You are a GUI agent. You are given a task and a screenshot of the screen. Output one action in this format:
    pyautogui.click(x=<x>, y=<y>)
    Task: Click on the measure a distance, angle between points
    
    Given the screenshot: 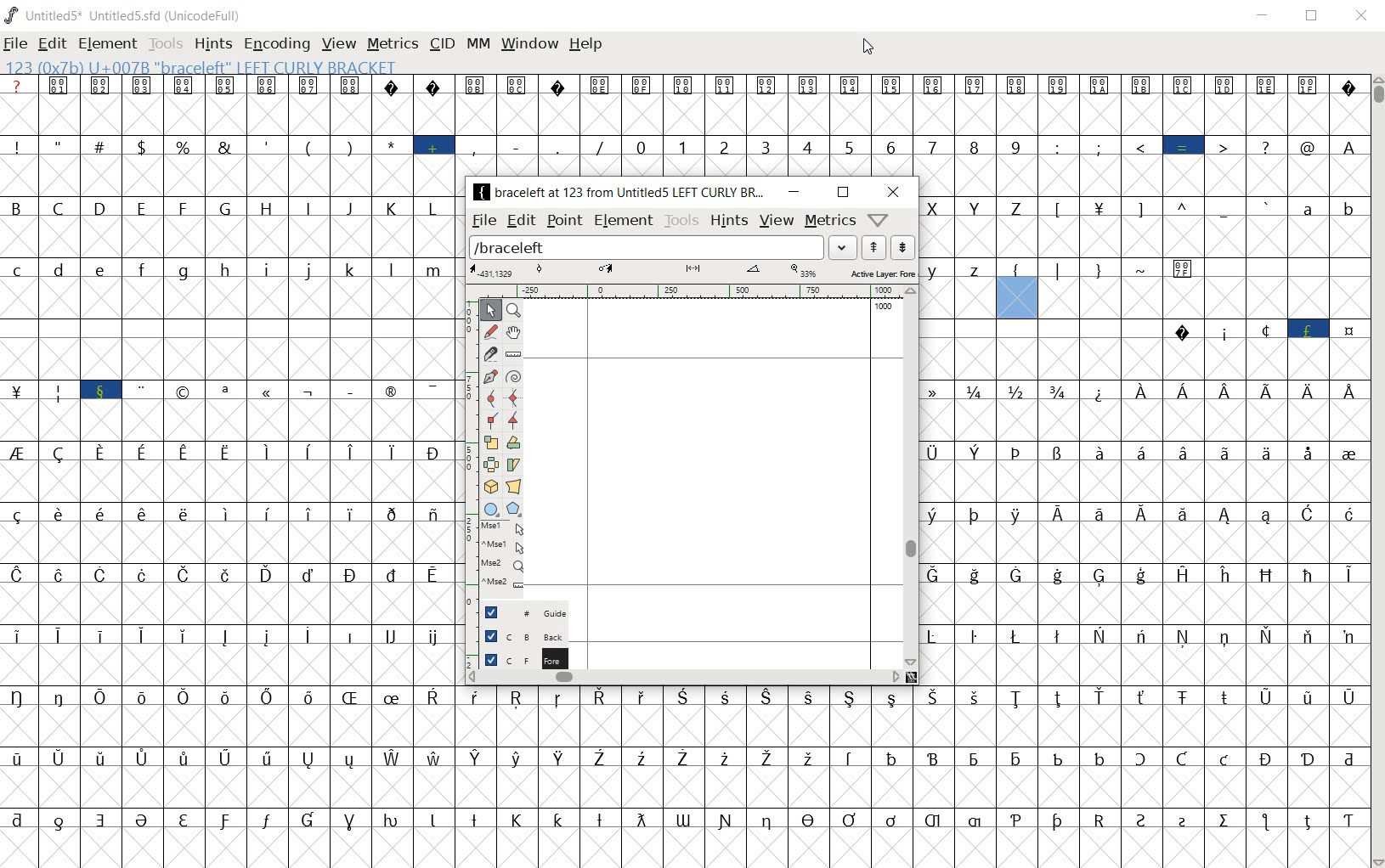 What is the action you would take?
    pyautogui.click(x=514, y=355)
    